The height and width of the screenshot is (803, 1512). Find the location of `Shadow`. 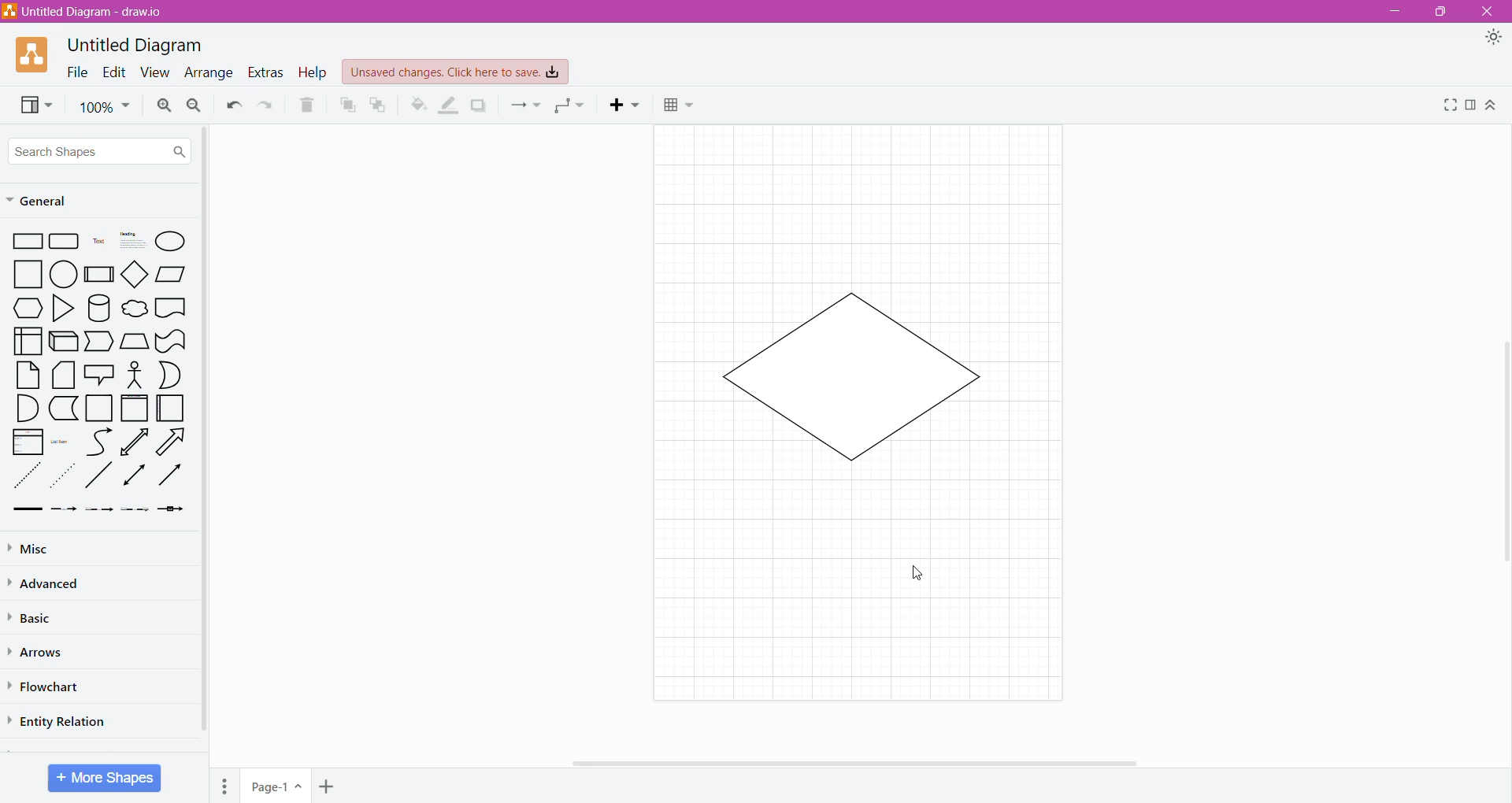

Shadow is located at coordinates (480, 105).